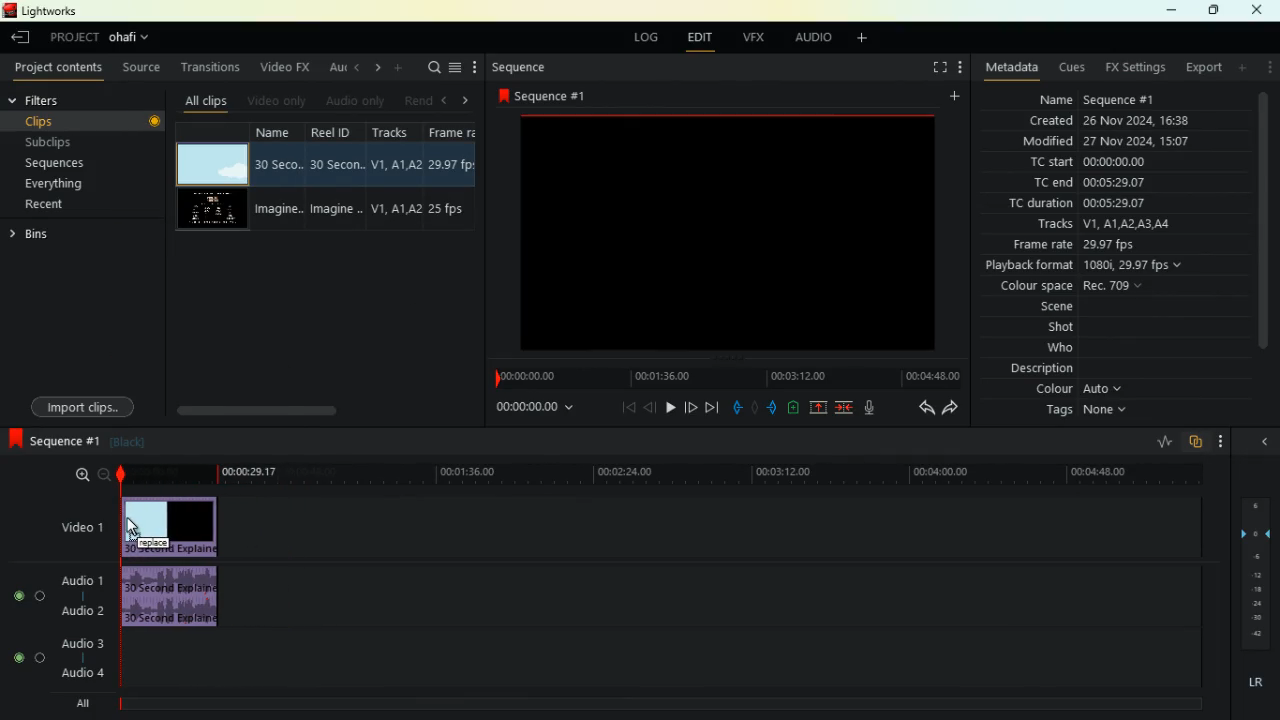 The width and height of the screenshot is (1280, 720). Describe the element at coordinates (965, 67) in the screenshot. I see `menu` at that location.